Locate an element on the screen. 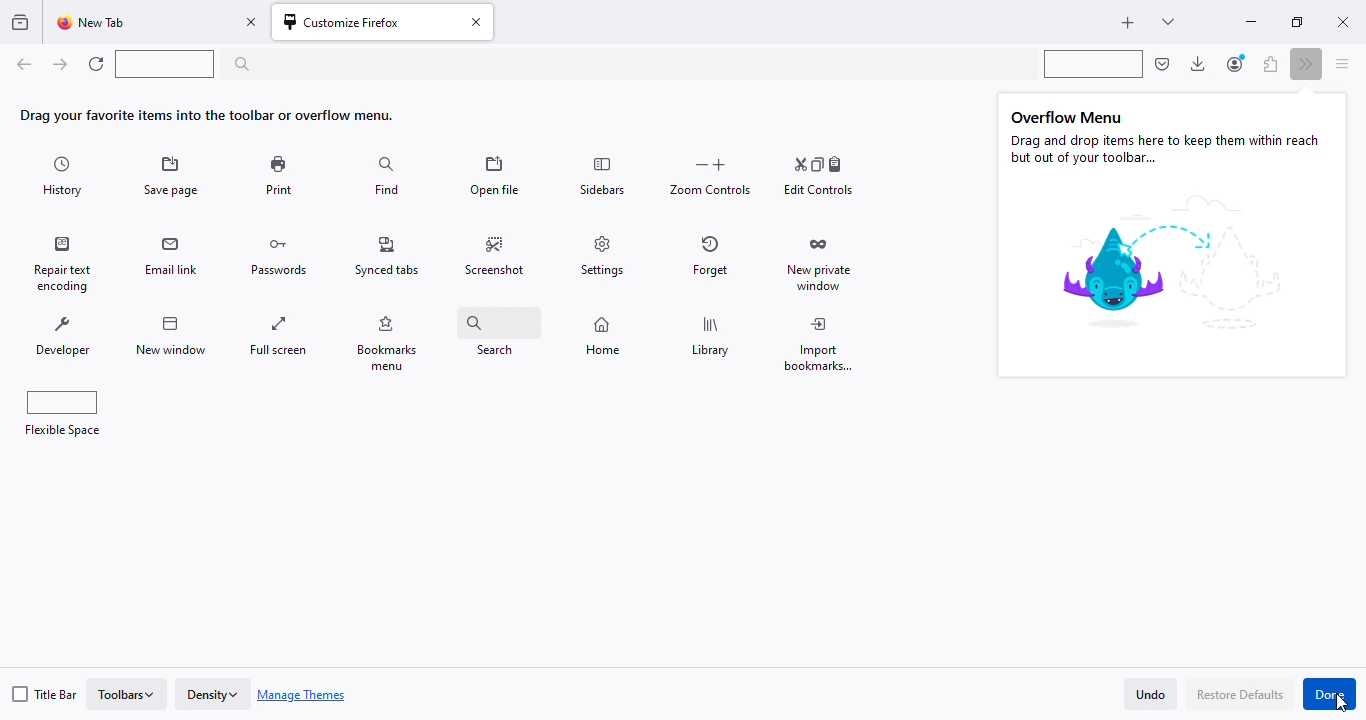 The image size is (1366, 720). reload current page is located at coordinates (96, 64).